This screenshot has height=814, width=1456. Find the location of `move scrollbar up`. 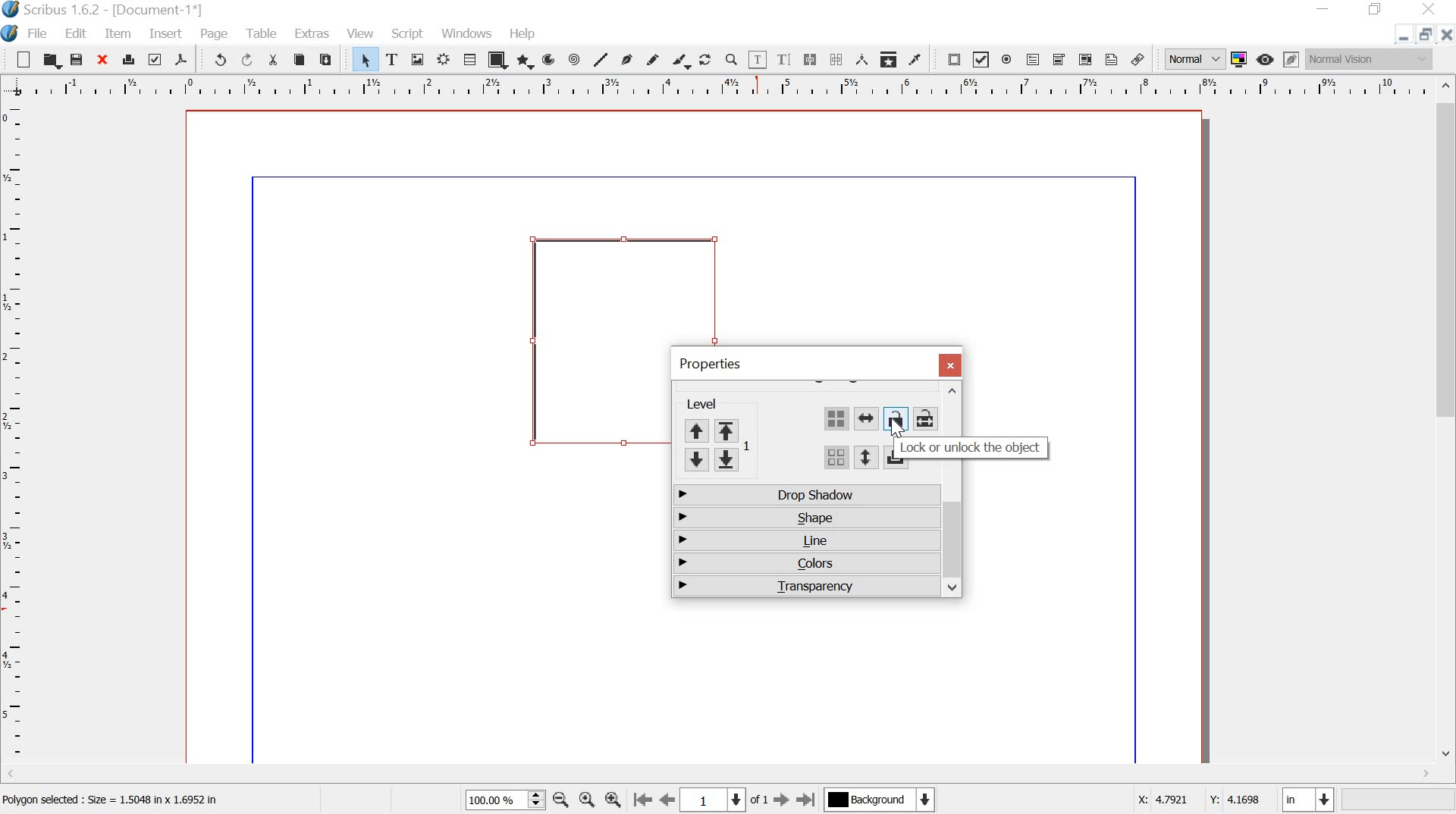

move scrollbar up is located at coordinates (951, 393).